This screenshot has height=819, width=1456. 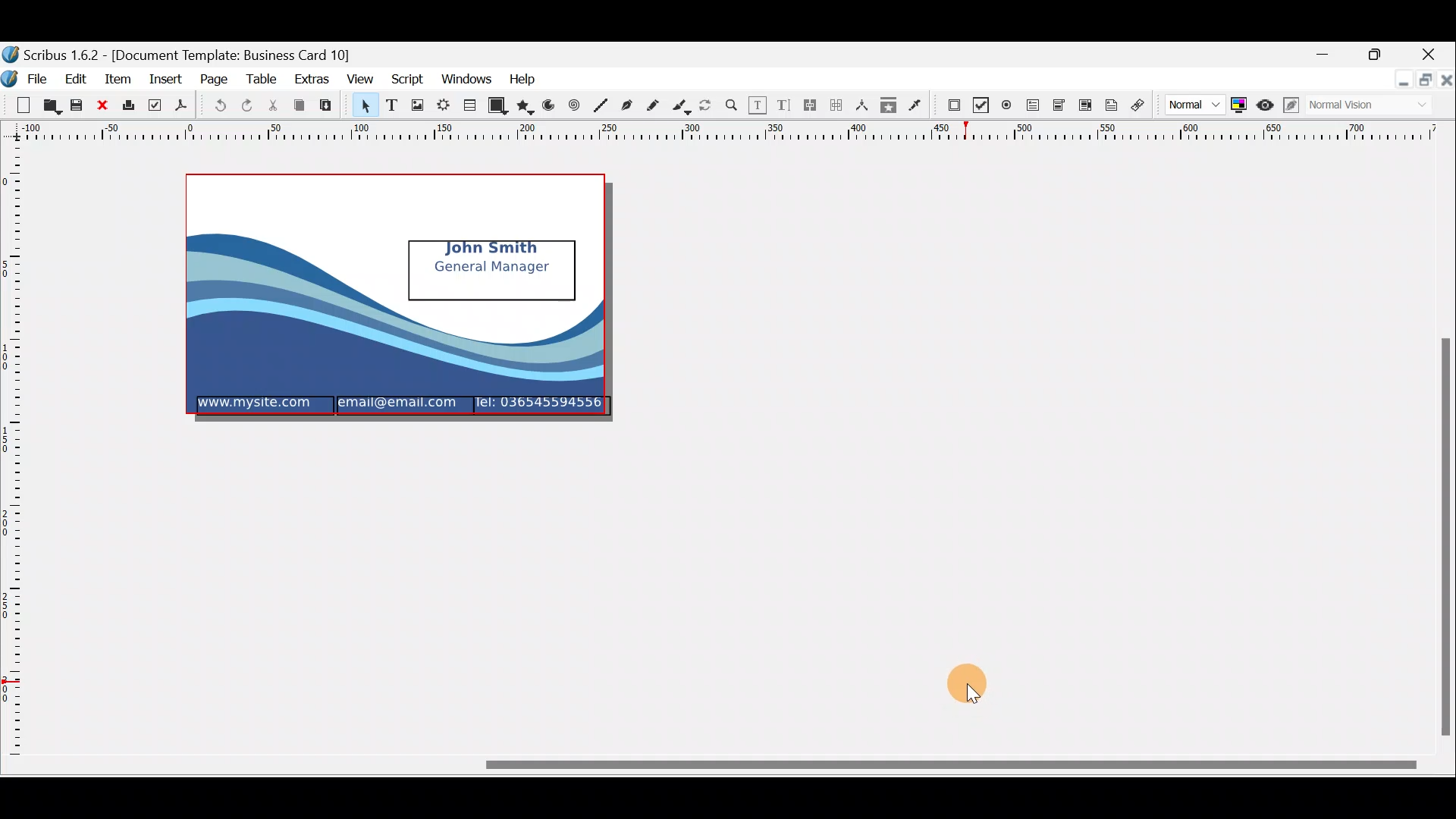 I want to click on Print, so click(x=128, y=107).